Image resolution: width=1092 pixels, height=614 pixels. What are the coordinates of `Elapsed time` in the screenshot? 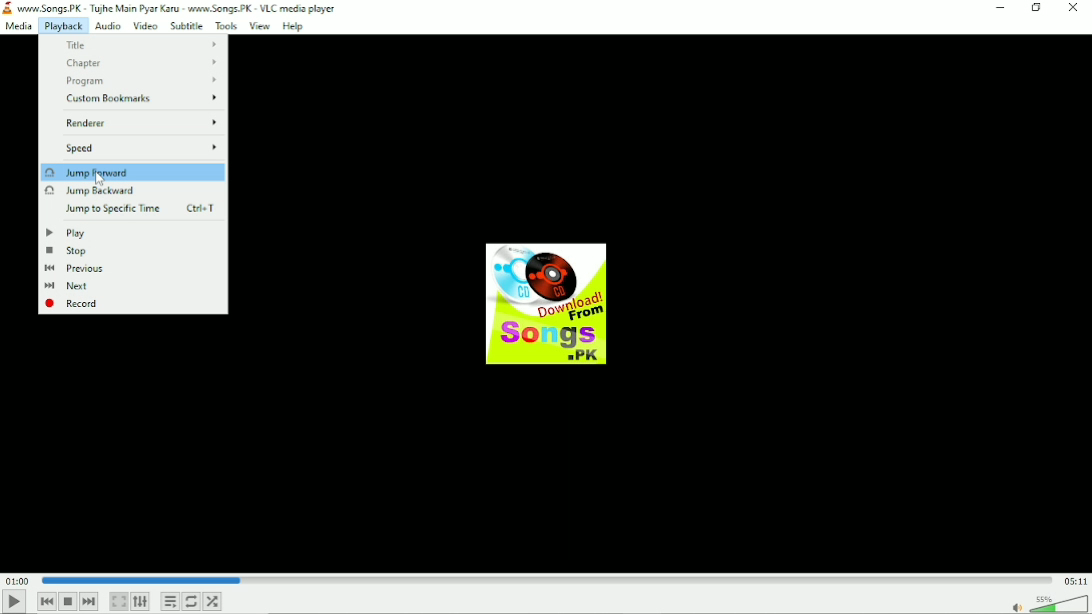 It's located at (17, 580).